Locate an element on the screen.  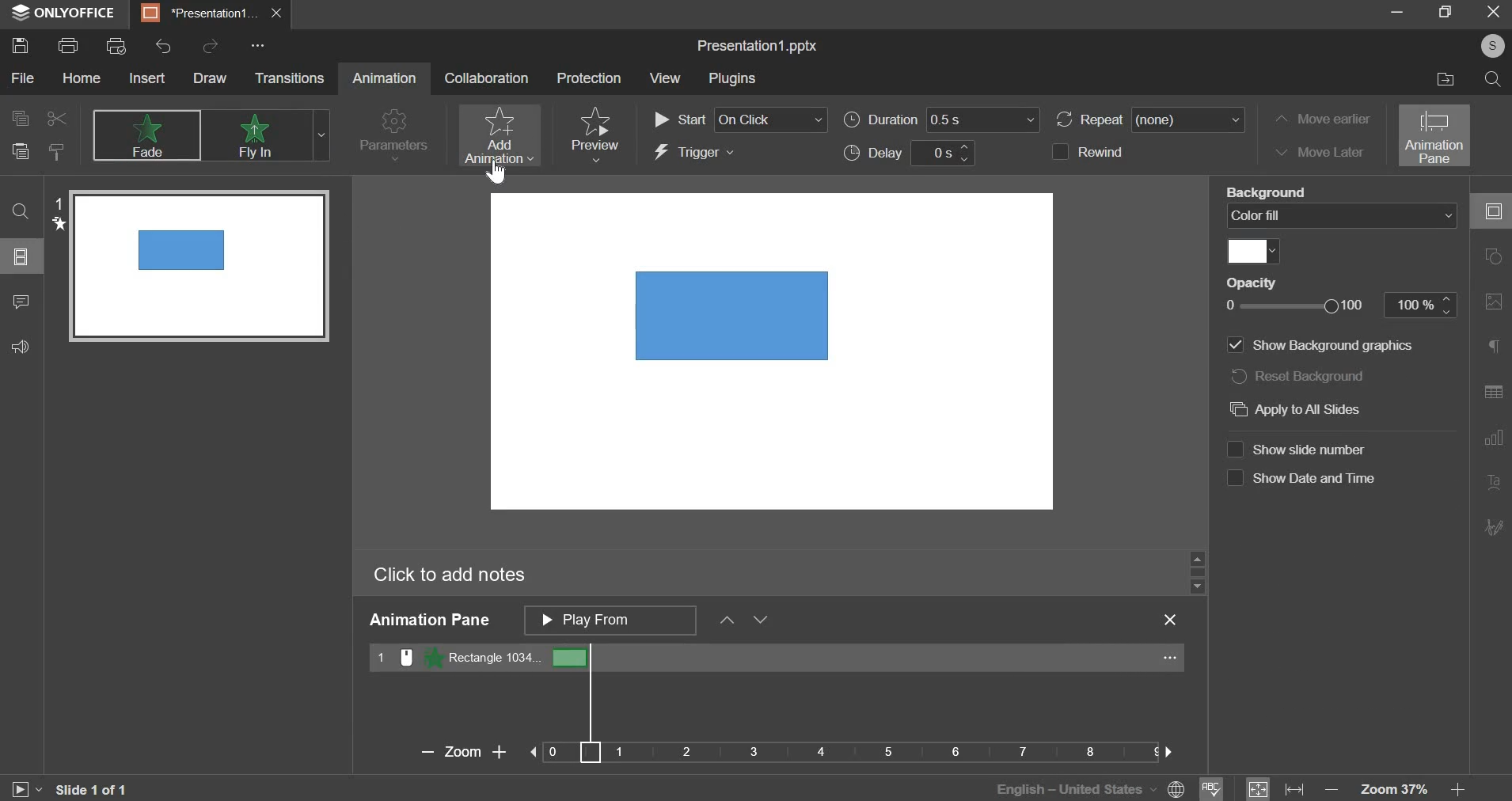
slide layout is located at coordinates (1493, 257).